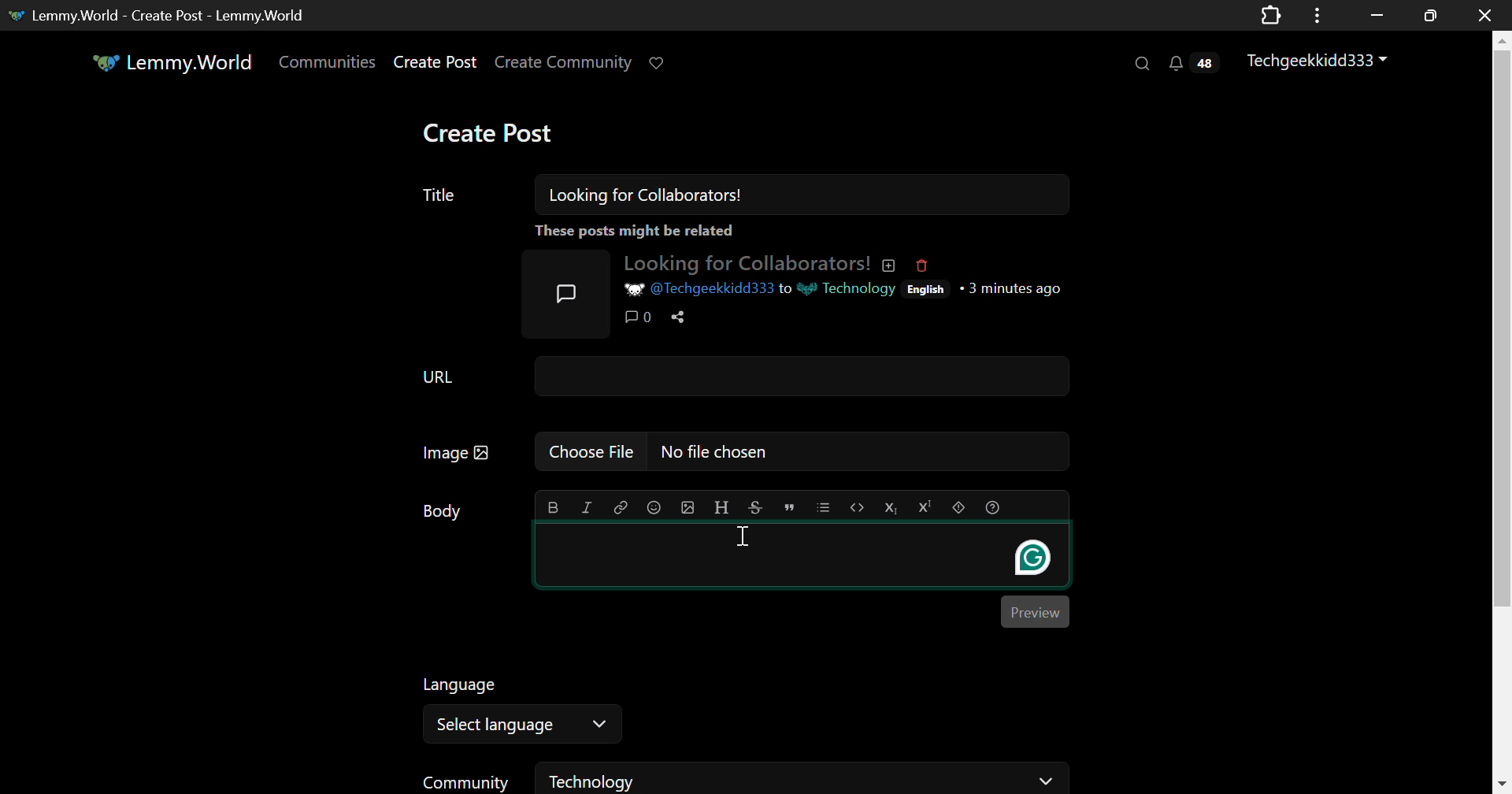  What do you see at coordinates (926, 289) in the screenshot?
I see `English` at bounding box center [926, 289].